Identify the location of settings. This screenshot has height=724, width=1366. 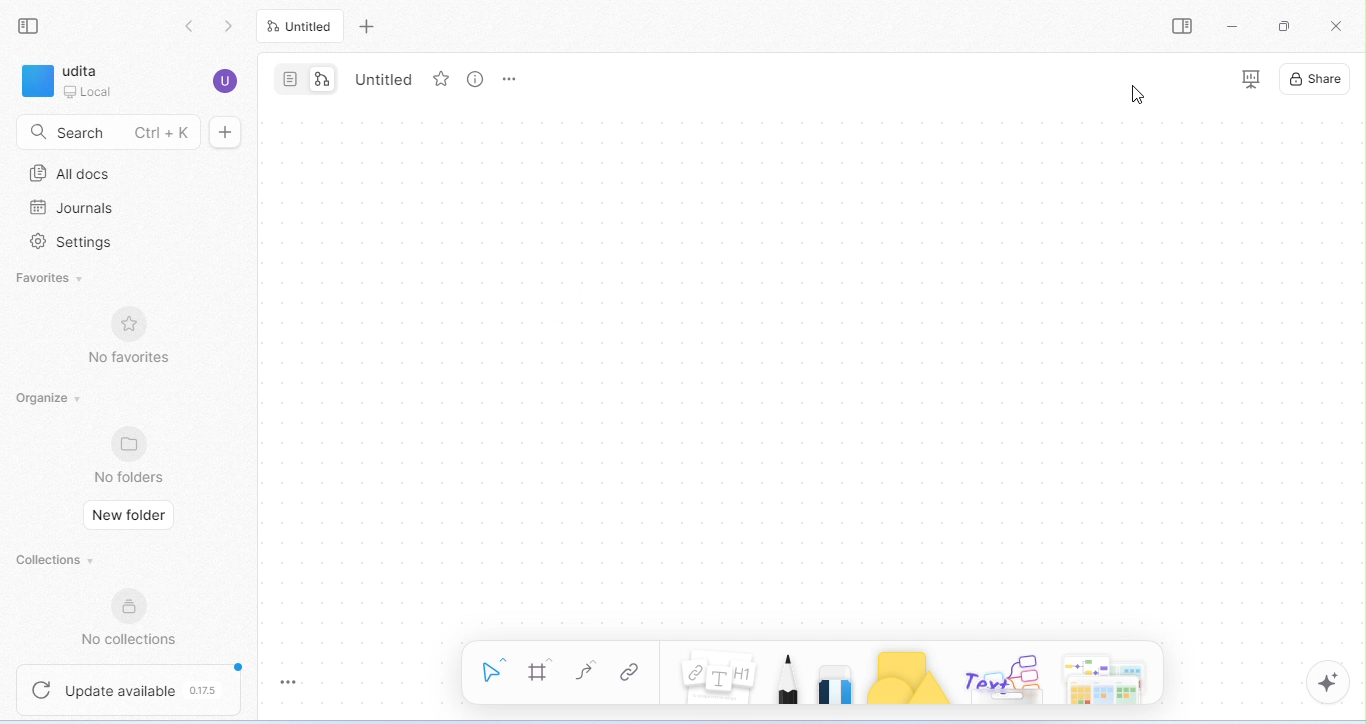
(75, 244).